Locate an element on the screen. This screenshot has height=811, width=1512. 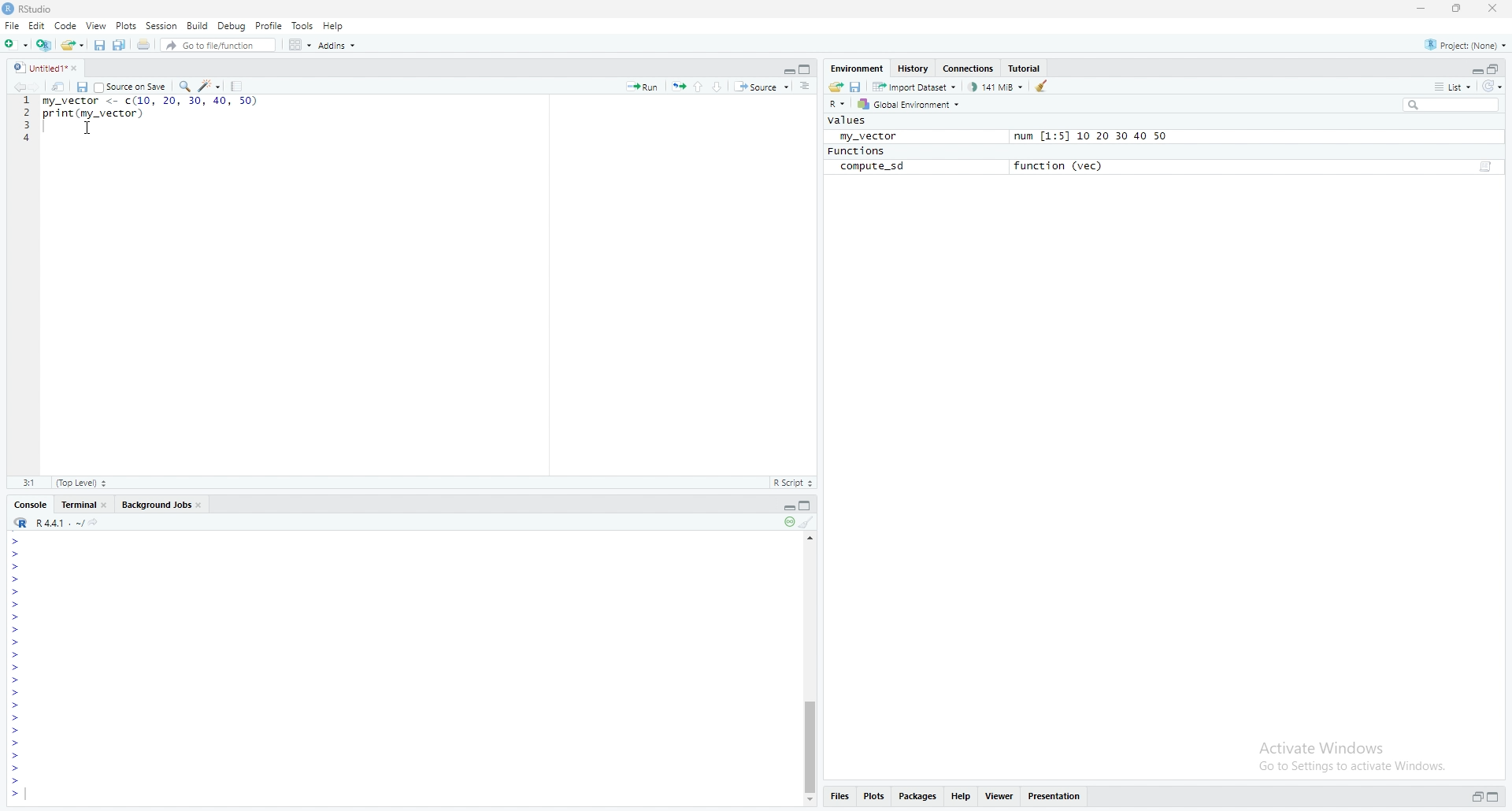
Connections is located at coordinates (969, 69).